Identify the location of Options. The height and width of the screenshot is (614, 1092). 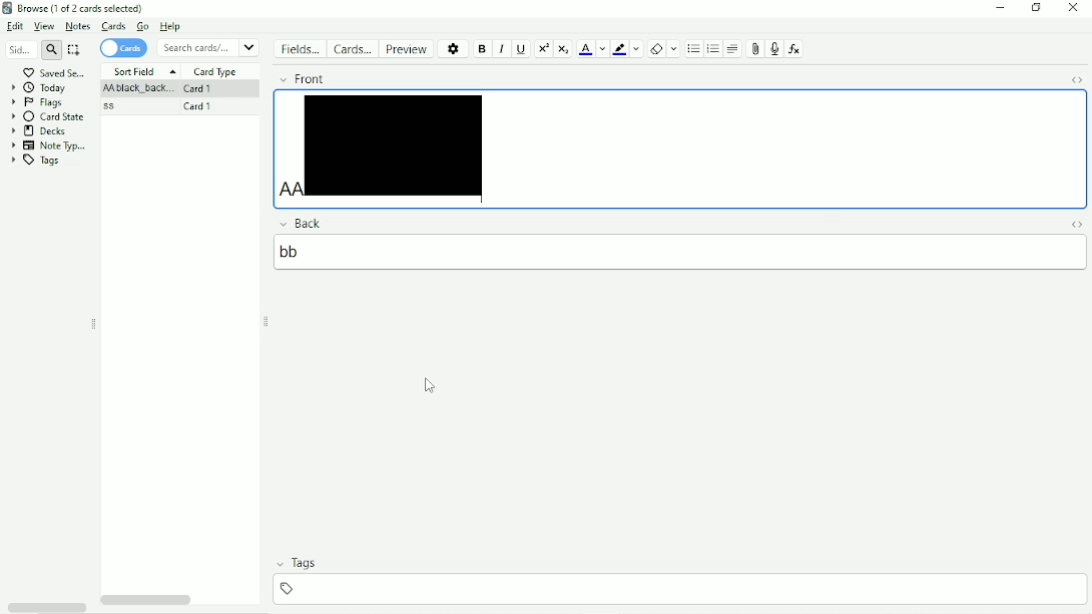
(455, 50).